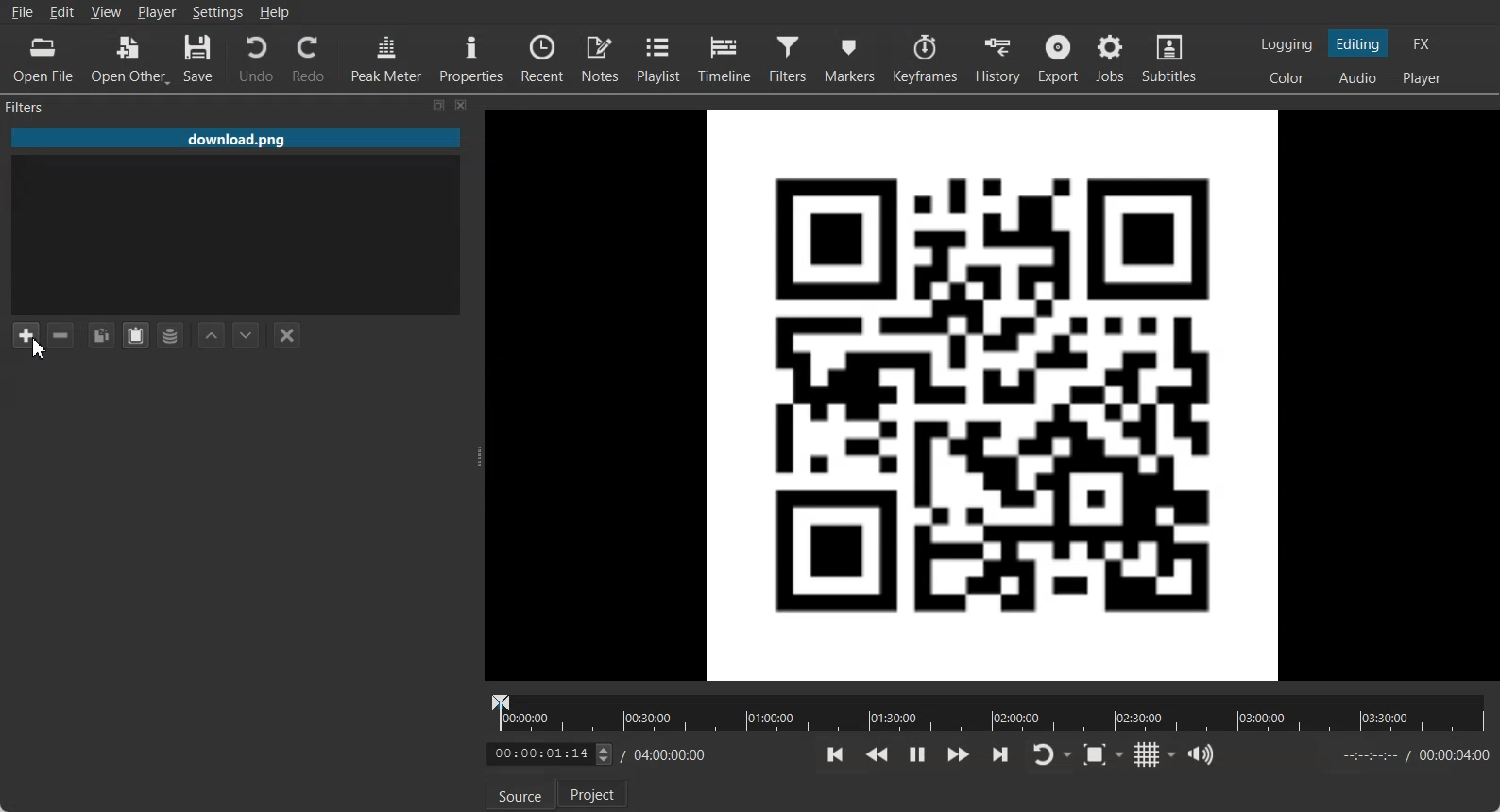 The image size is (1500, 812). I want to click on Save, so click(198, 59).